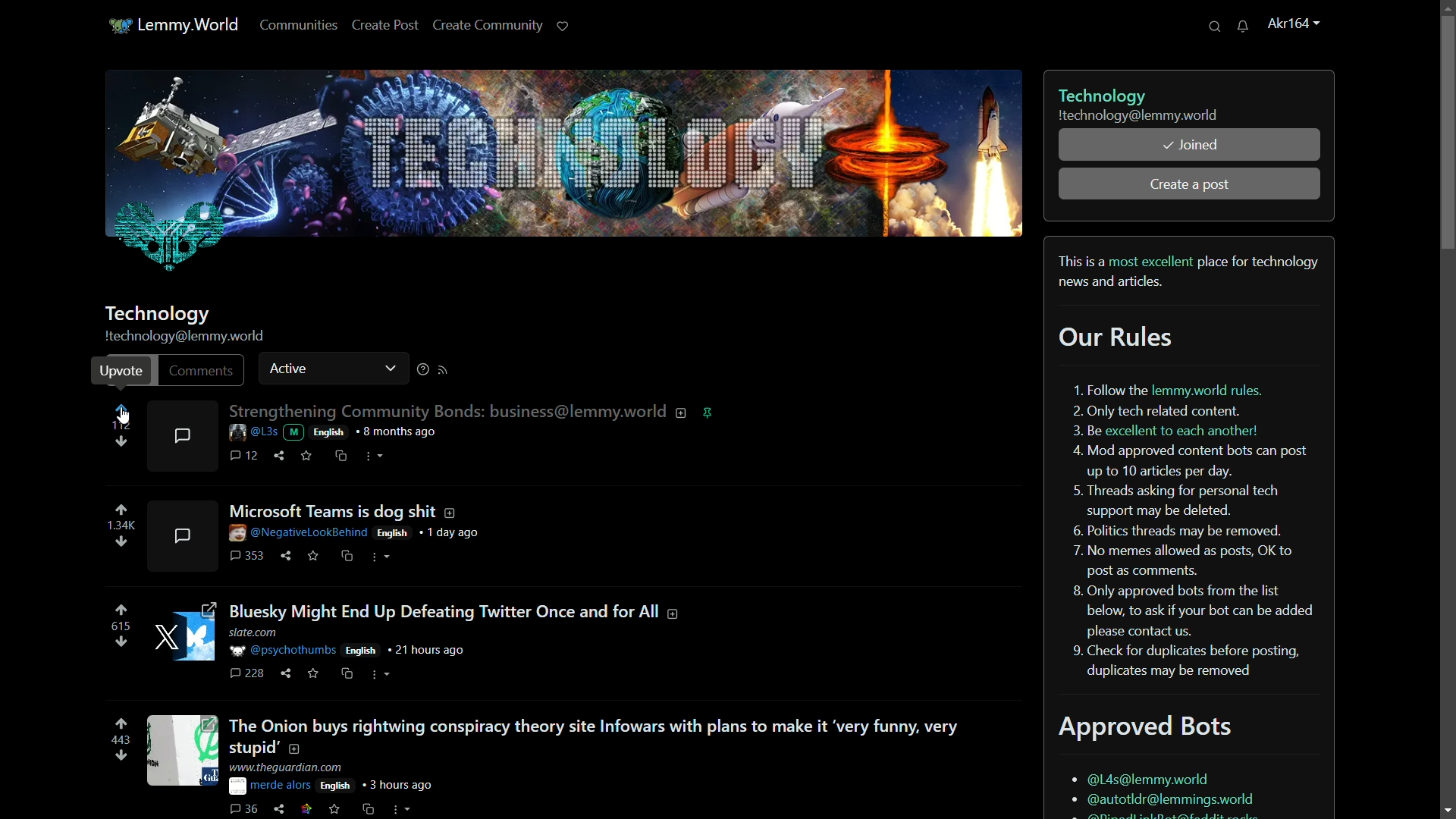 Image resolution: width=1456 pixels, height=819 pixels. What do you see at coordinates (121, 610) in the screenshot?
I see `upvote` at bounding box center [121, 610].